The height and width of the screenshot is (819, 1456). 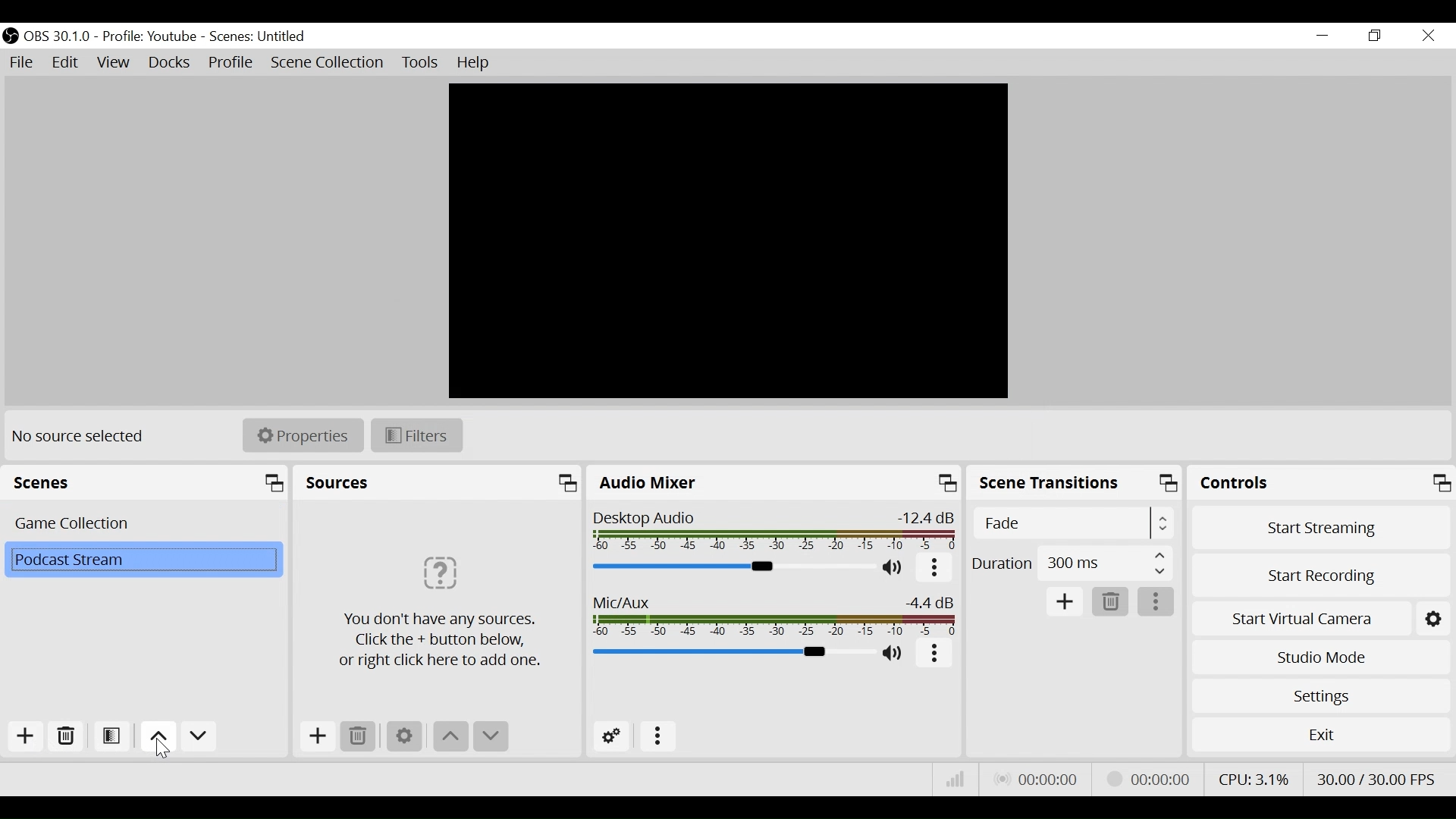 What do you see at coordinates (775, 532) in the screenshot?
I see `Desktop Audio` at bounding box center [775, 532].